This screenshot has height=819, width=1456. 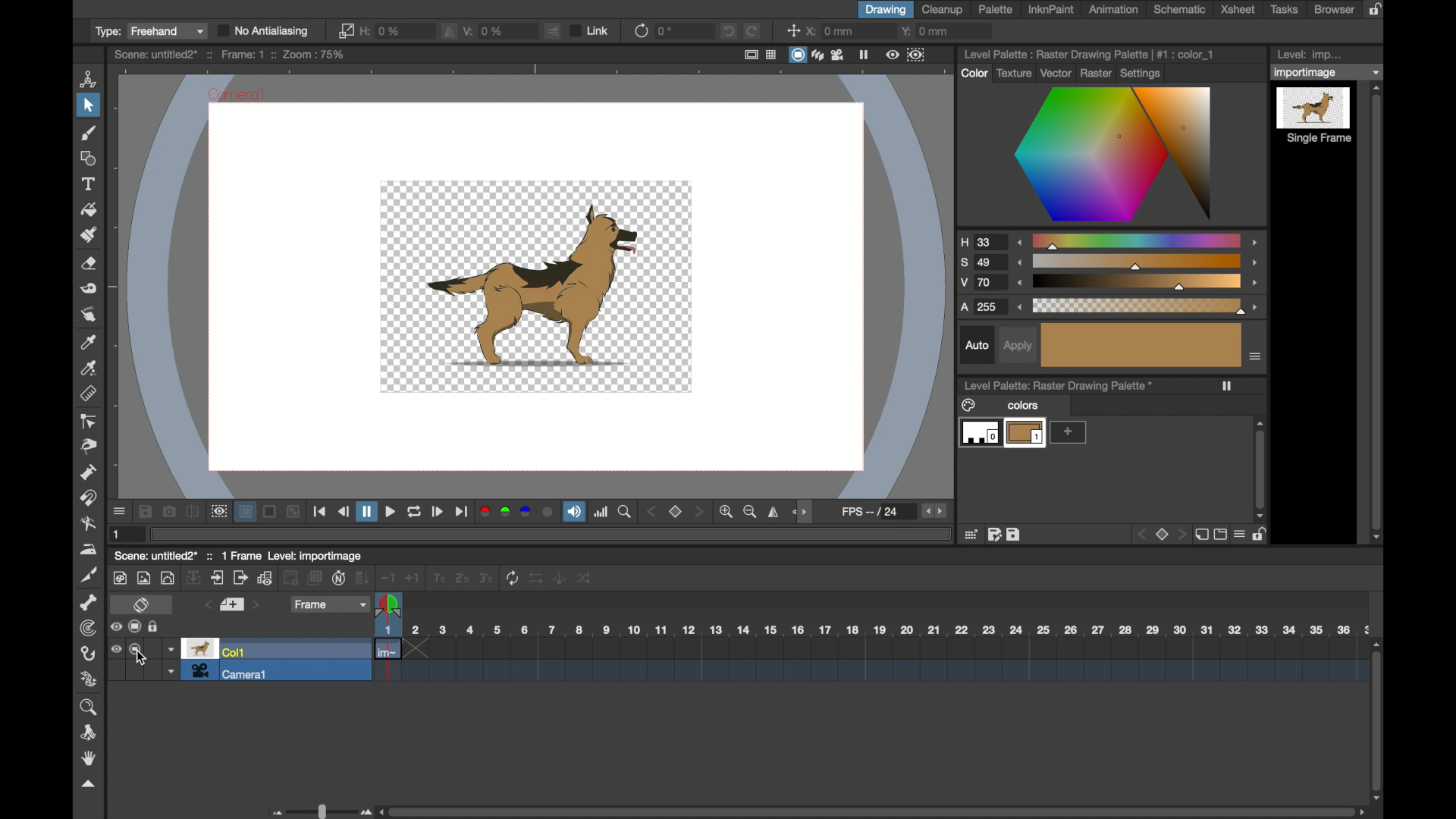 What do you see at coordinates (145, 511) in the screenshot?
I see `save` at bounding box center [145, 511].